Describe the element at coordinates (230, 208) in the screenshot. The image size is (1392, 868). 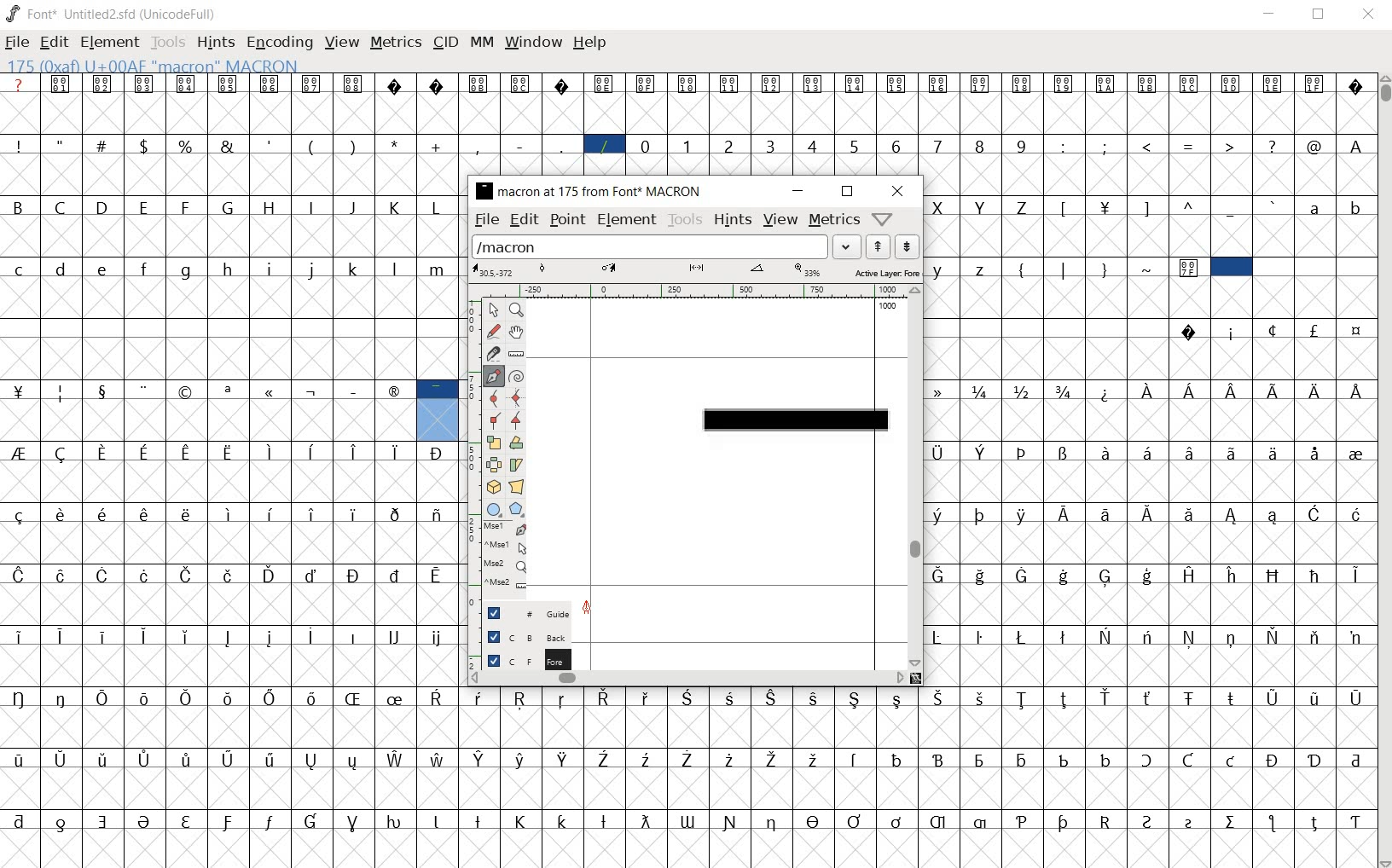
I see `G` at that location.